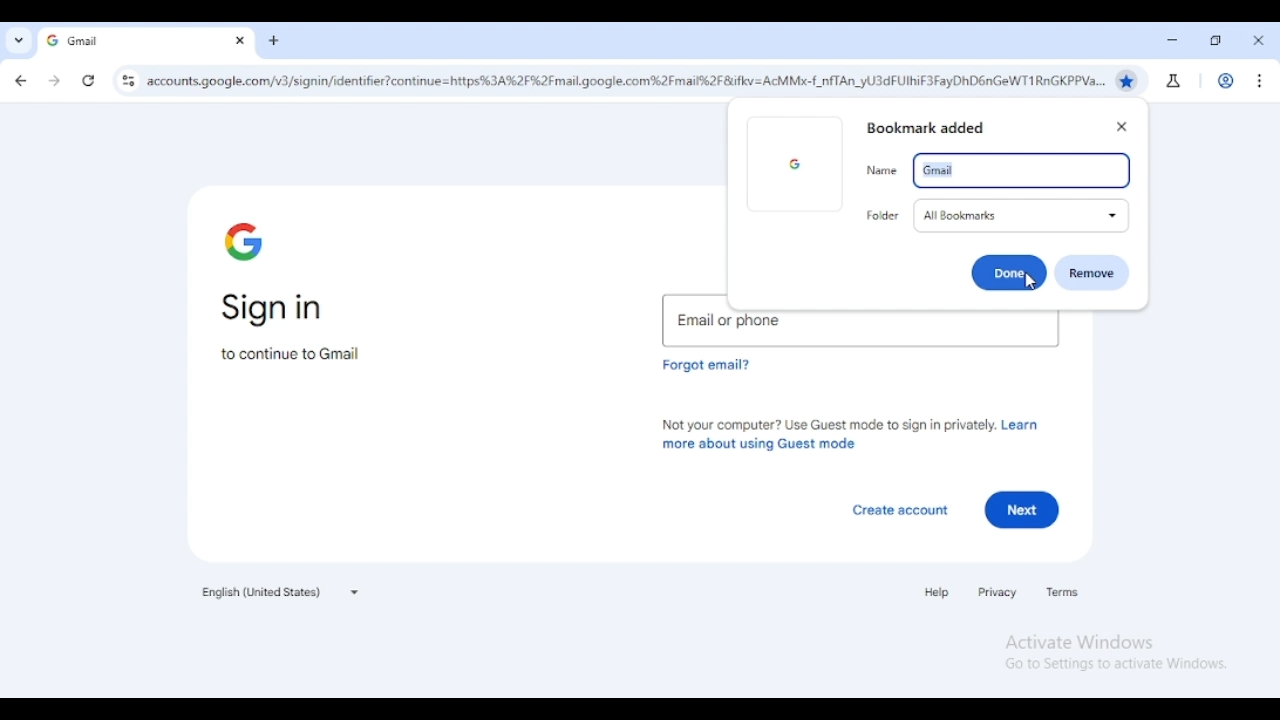 The height and width of the screenshot is (720, 1280). Describe the element at coordinates (18, 41) in the screenshot. I see `search tabs` at that location.